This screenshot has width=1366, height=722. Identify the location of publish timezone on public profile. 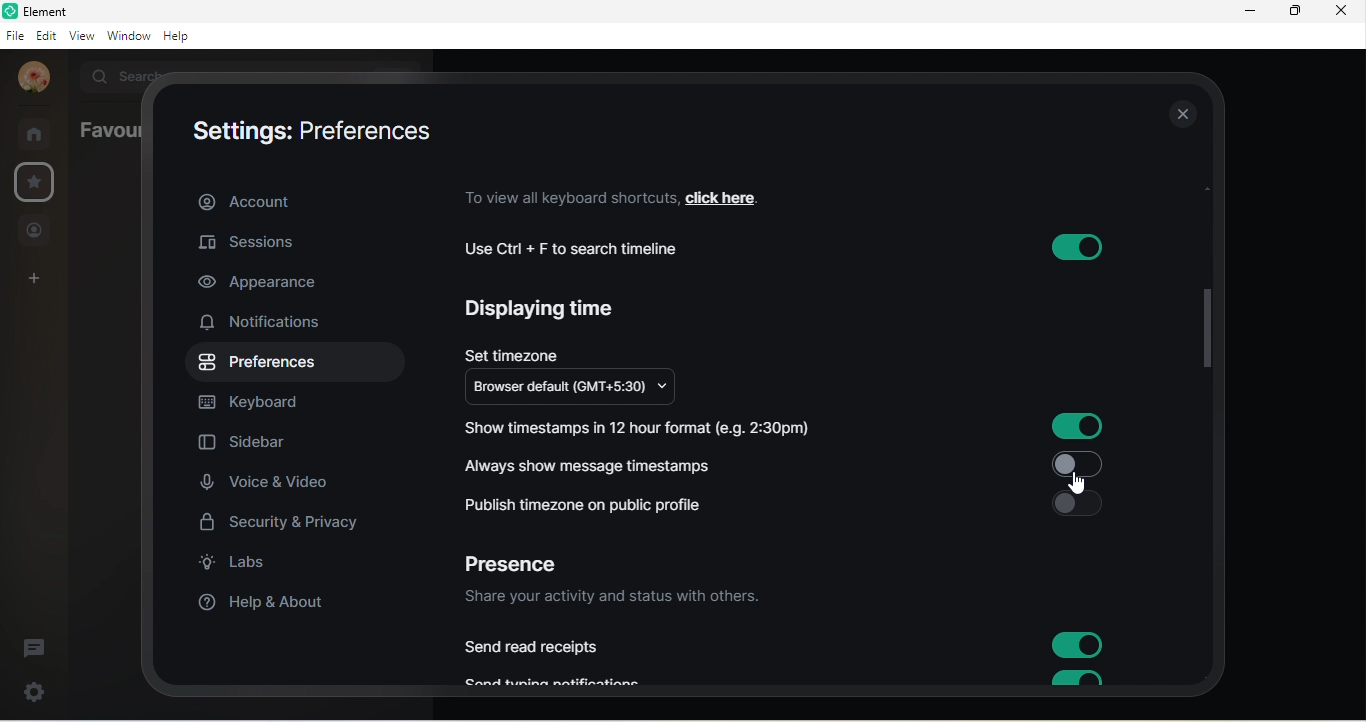
(592, 505).